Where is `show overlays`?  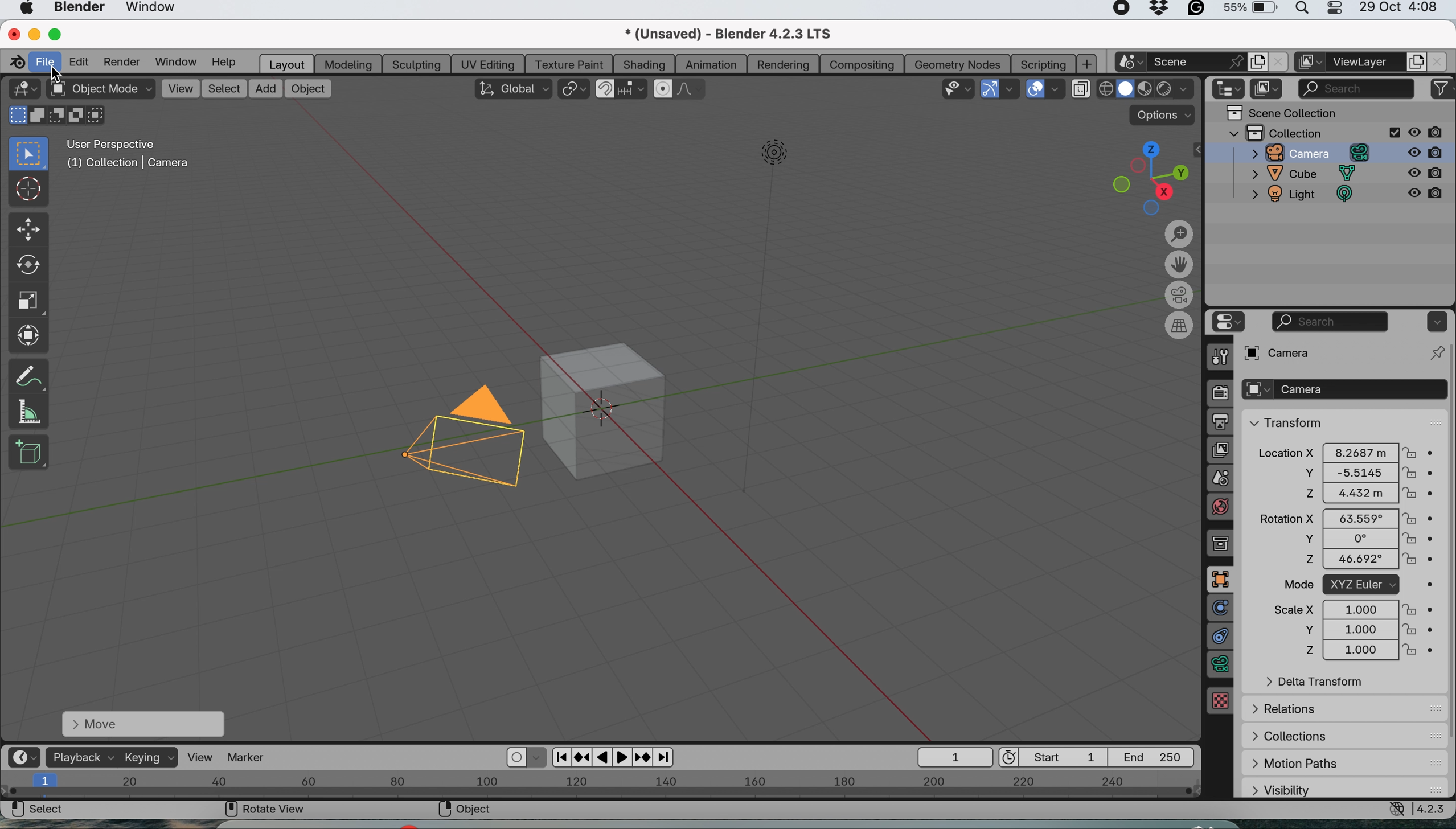 show overlays is located at coordinates (1036, 89).